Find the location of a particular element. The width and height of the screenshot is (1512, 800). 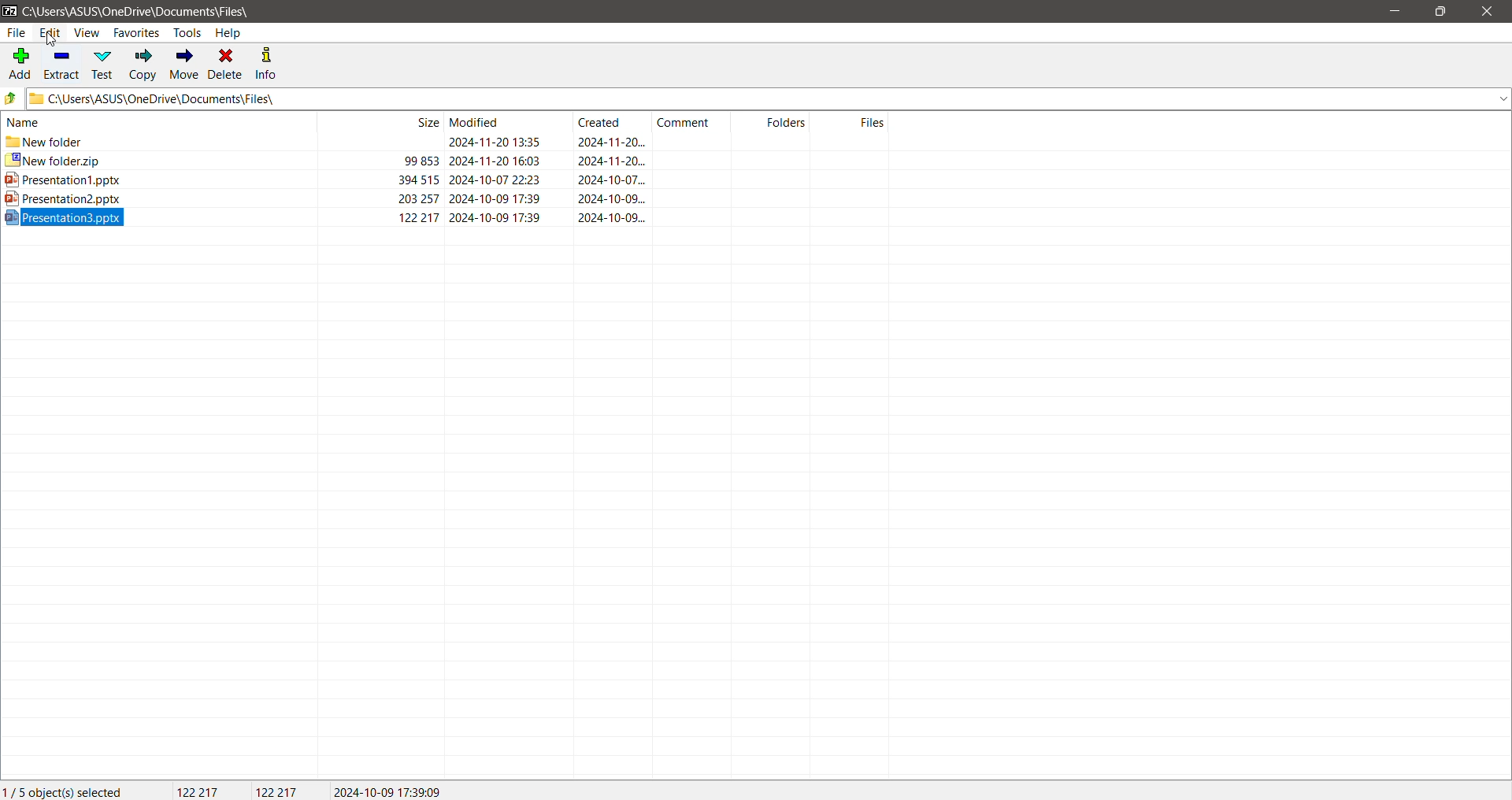

Info is located at coordinates (274, 64).